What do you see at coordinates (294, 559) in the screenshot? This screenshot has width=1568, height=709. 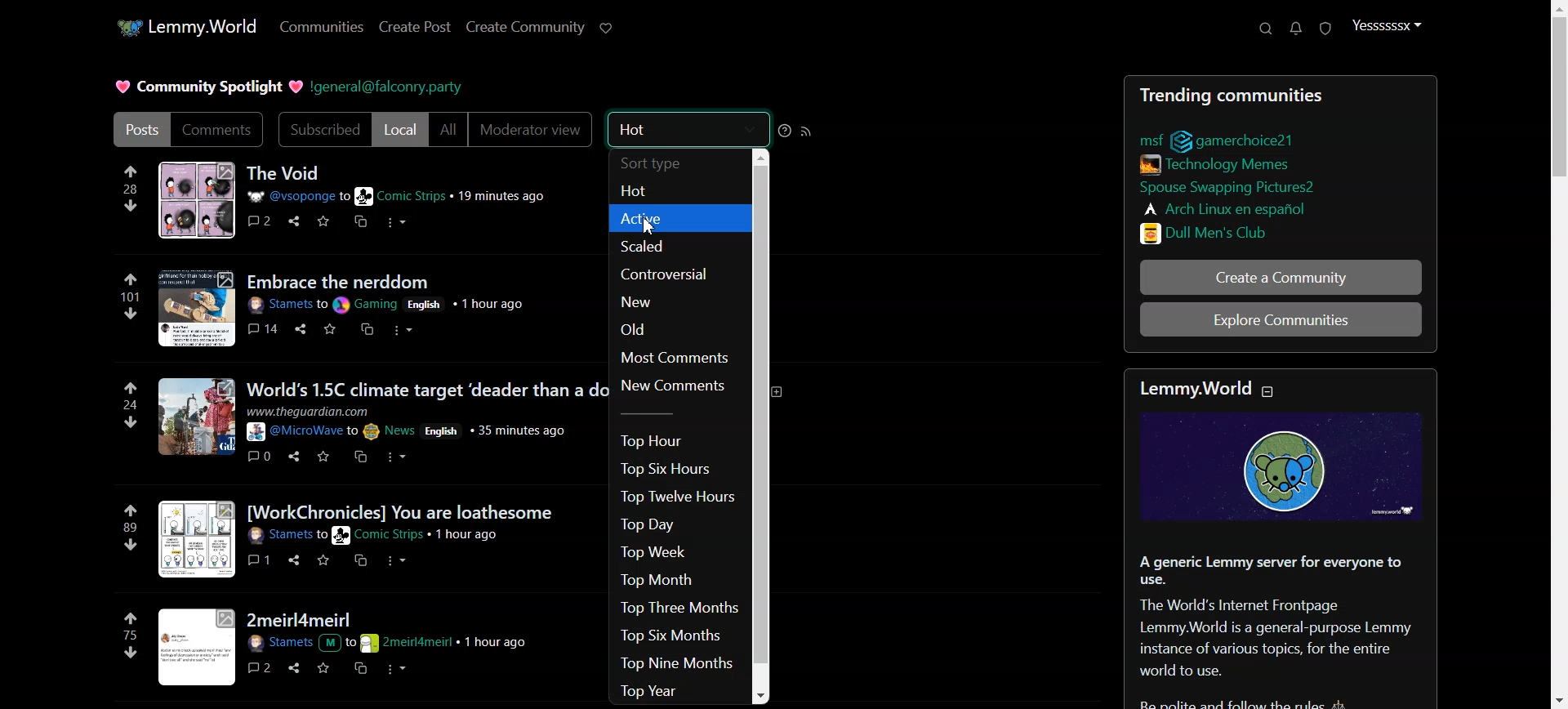 I see `share` at bounding box center [294, 559].